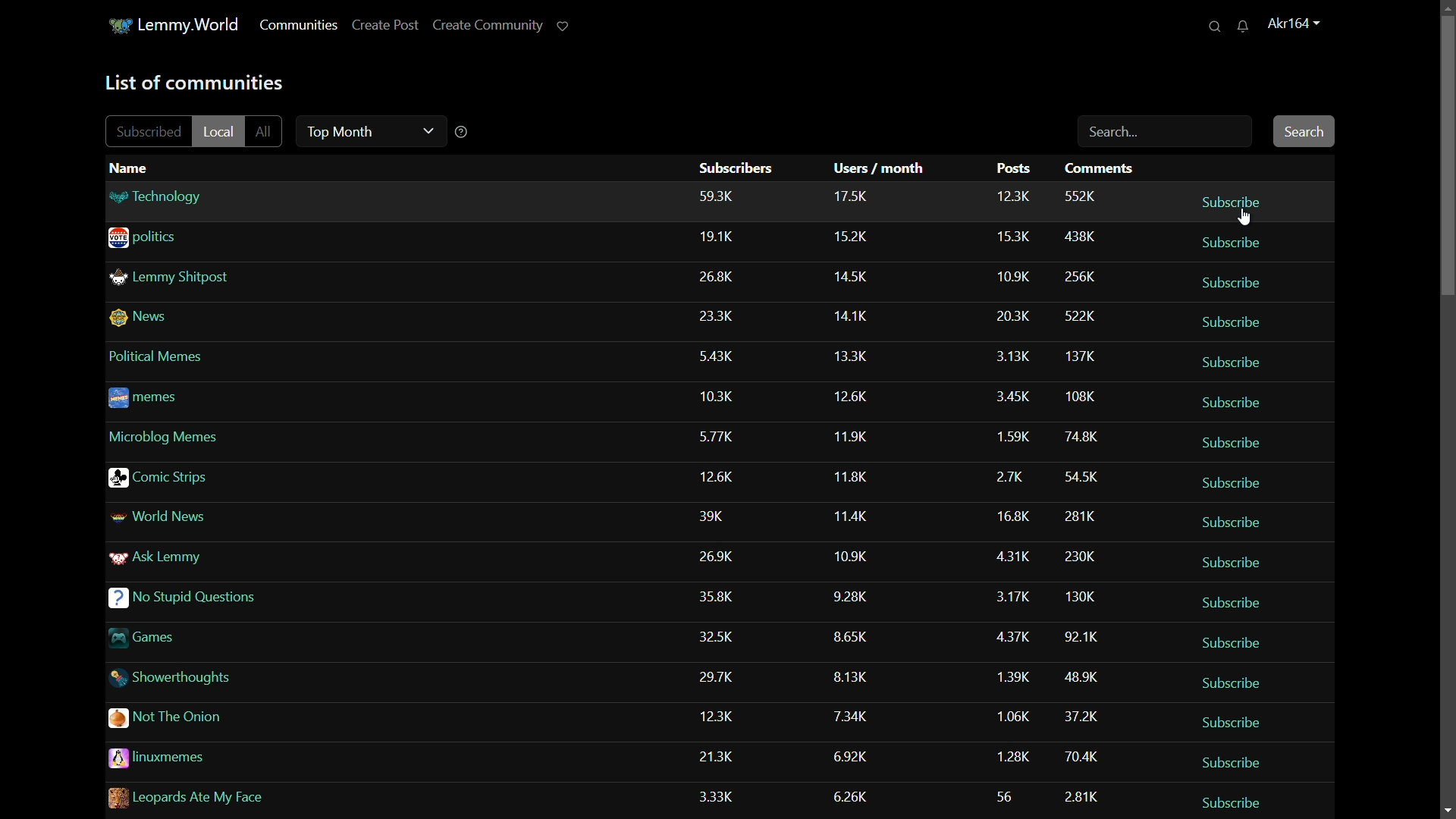 The height and width of the screenshot is (819, 1456). I want to click on subscribers, so click(723, 316).